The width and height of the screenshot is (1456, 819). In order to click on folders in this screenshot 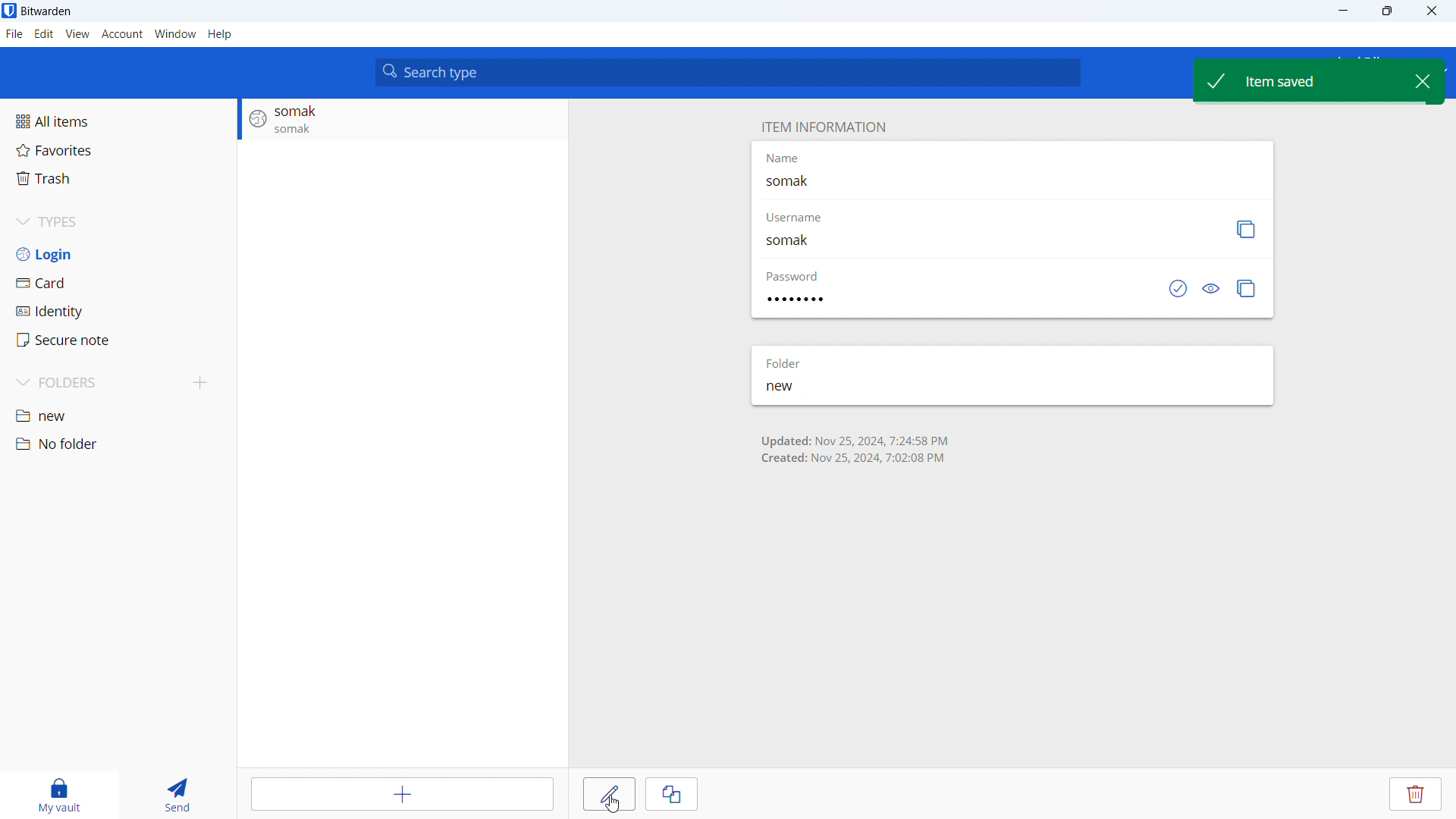, I will do `click(94, 383)`.